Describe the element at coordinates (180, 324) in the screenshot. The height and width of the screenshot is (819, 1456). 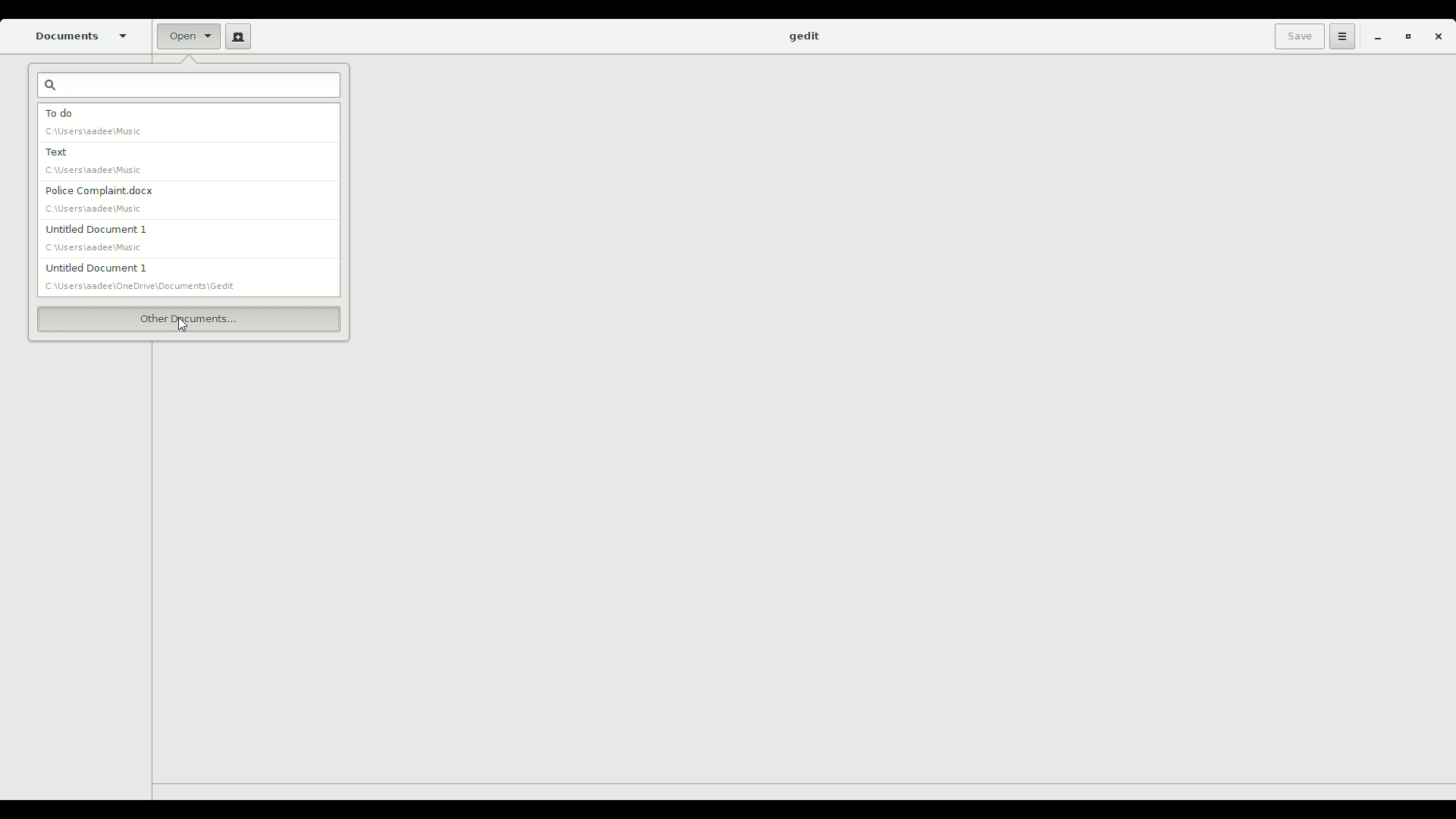
I see `Cursor` at that location.